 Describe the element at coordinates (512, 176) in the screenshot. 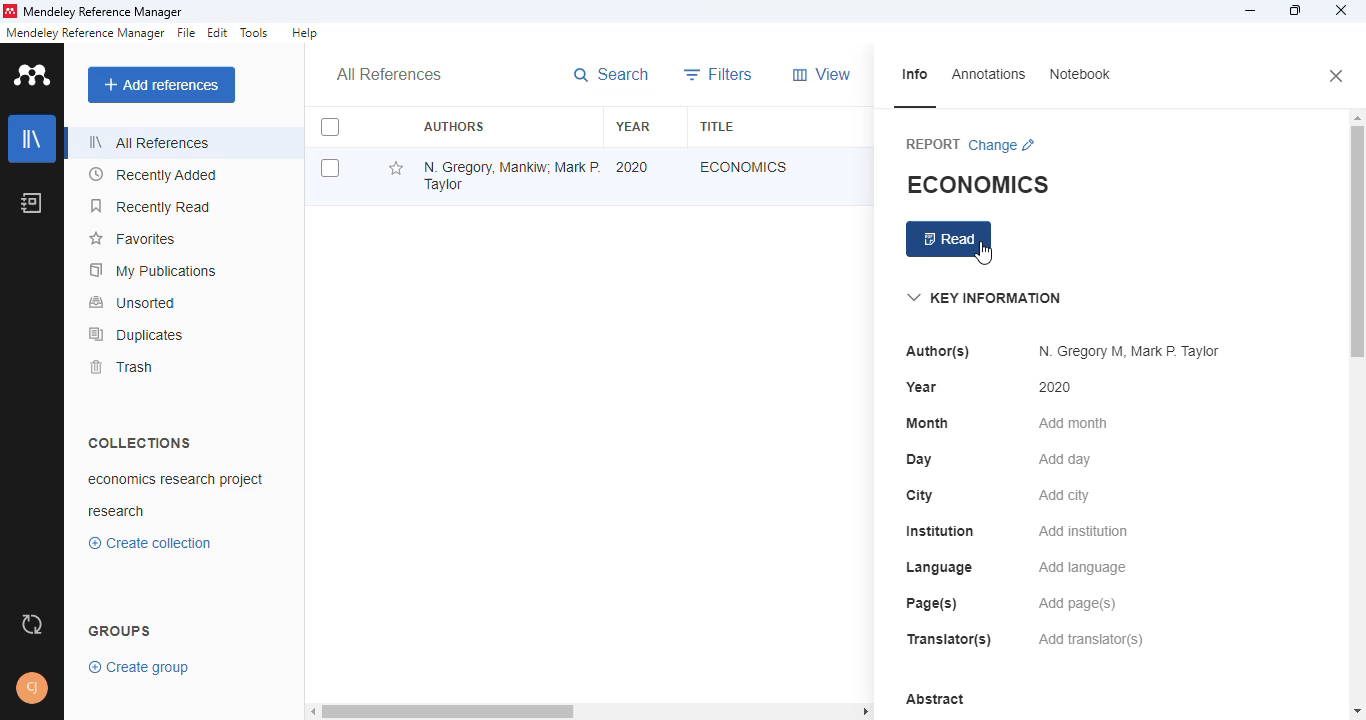

I see `N. Gregory Mankiw, Mark P. Taylor` at that location.